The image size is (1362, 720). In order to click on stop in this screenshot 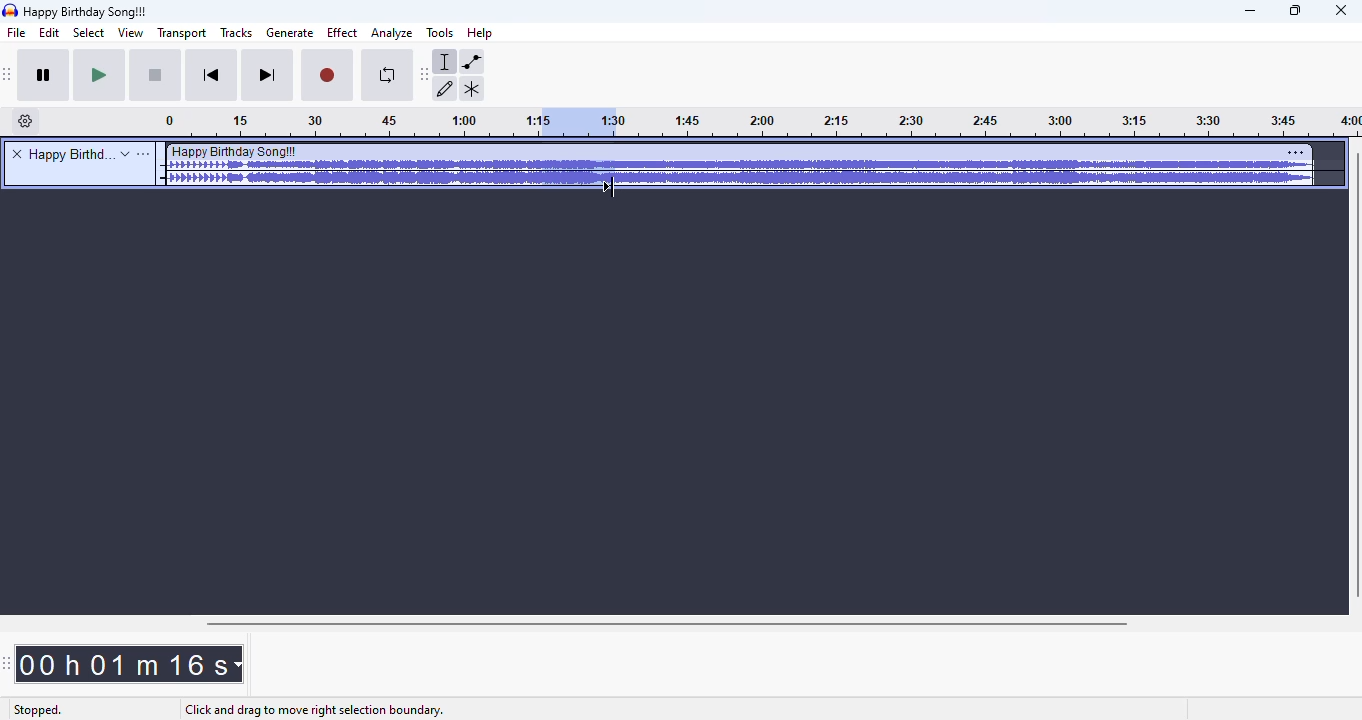, I will do `click(157, 77)`.